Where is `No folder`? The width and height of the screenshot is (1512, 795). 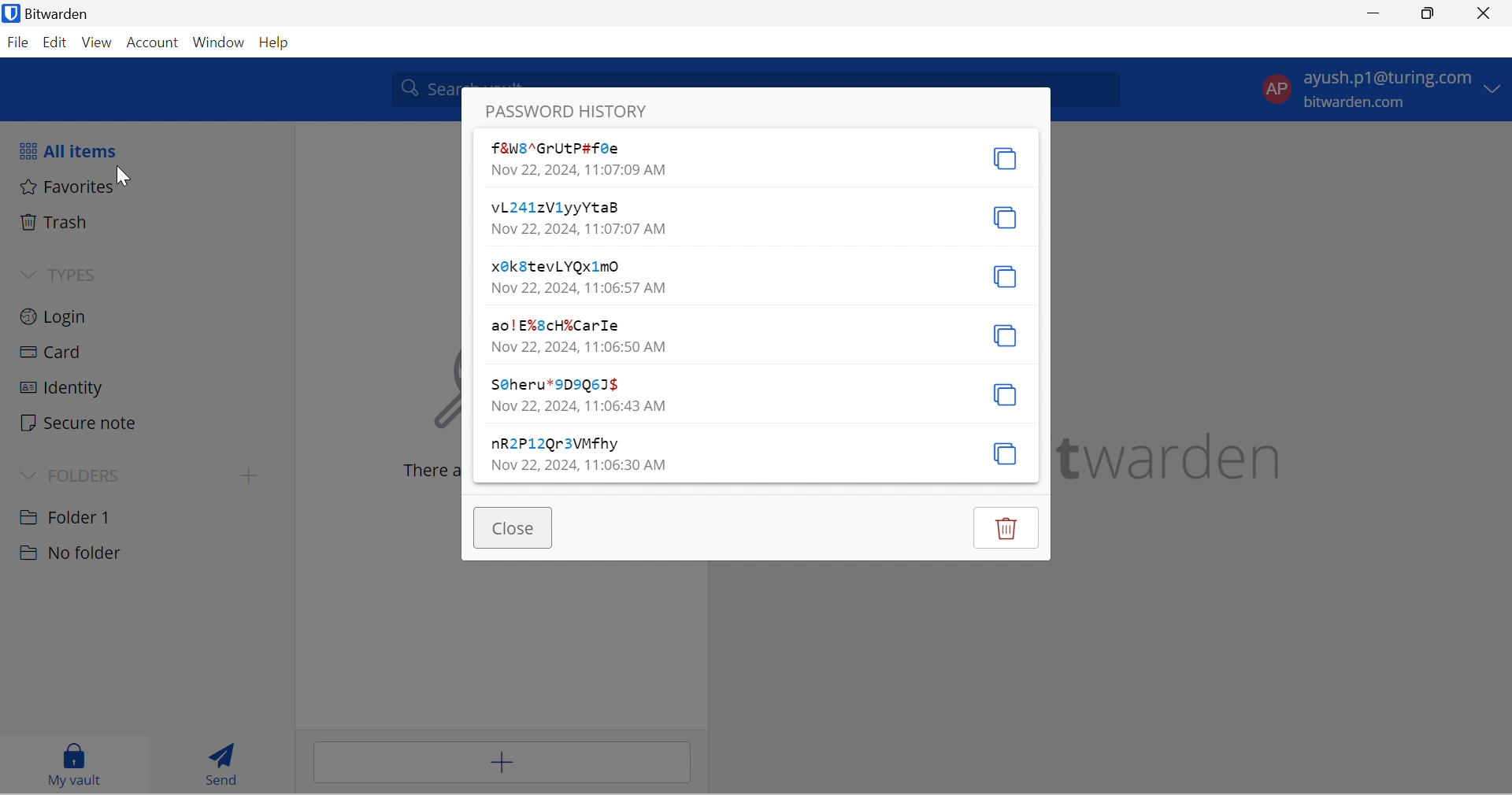 No folder is located at coordinates (72, 553).